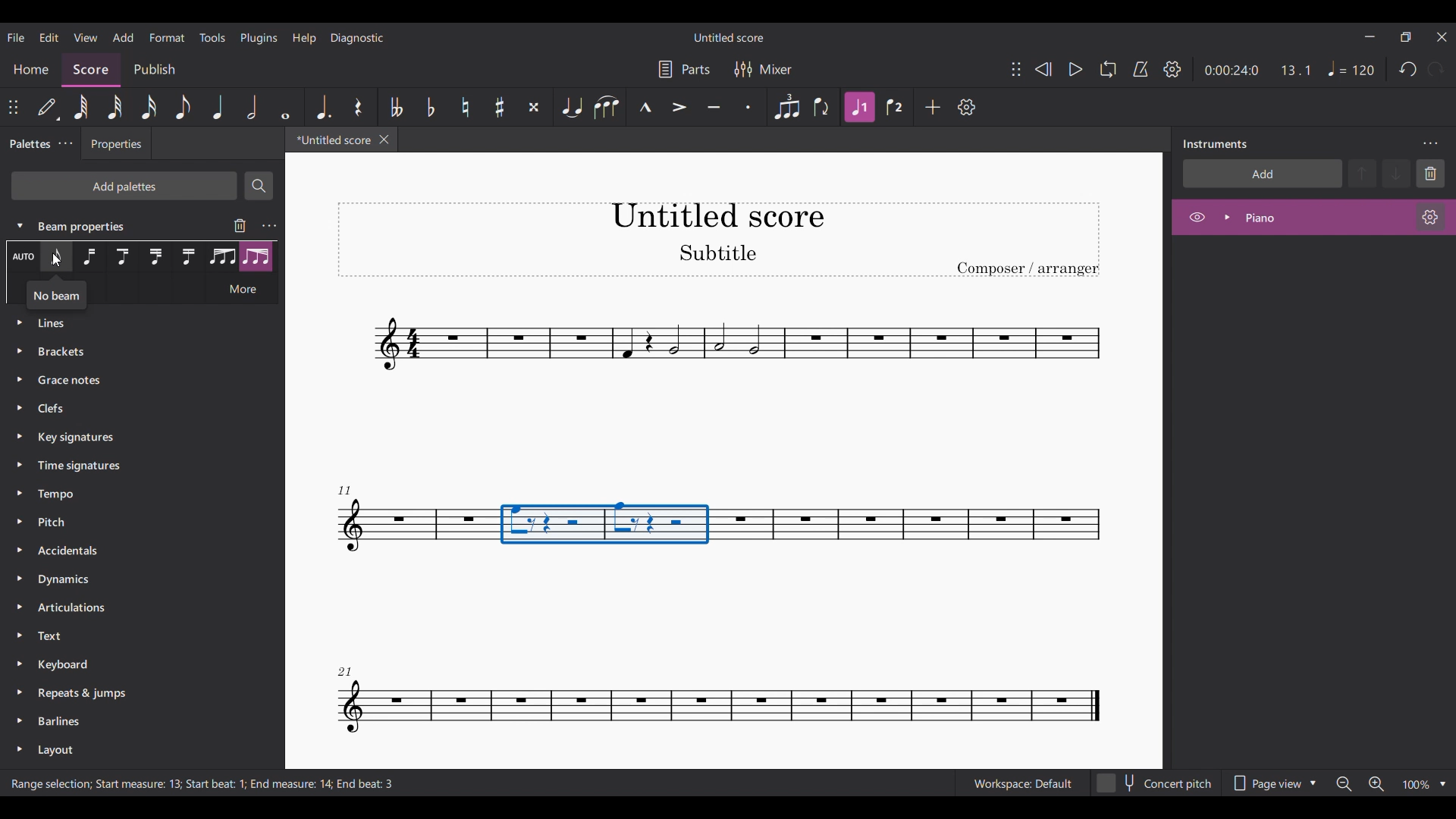 Image resolution: width=1456 pixels, height=819 pixels. What do you see at coordinates (1417, 784) in the screenshot?
I see `Current zoom factor` at bounding box center [1417, 784].